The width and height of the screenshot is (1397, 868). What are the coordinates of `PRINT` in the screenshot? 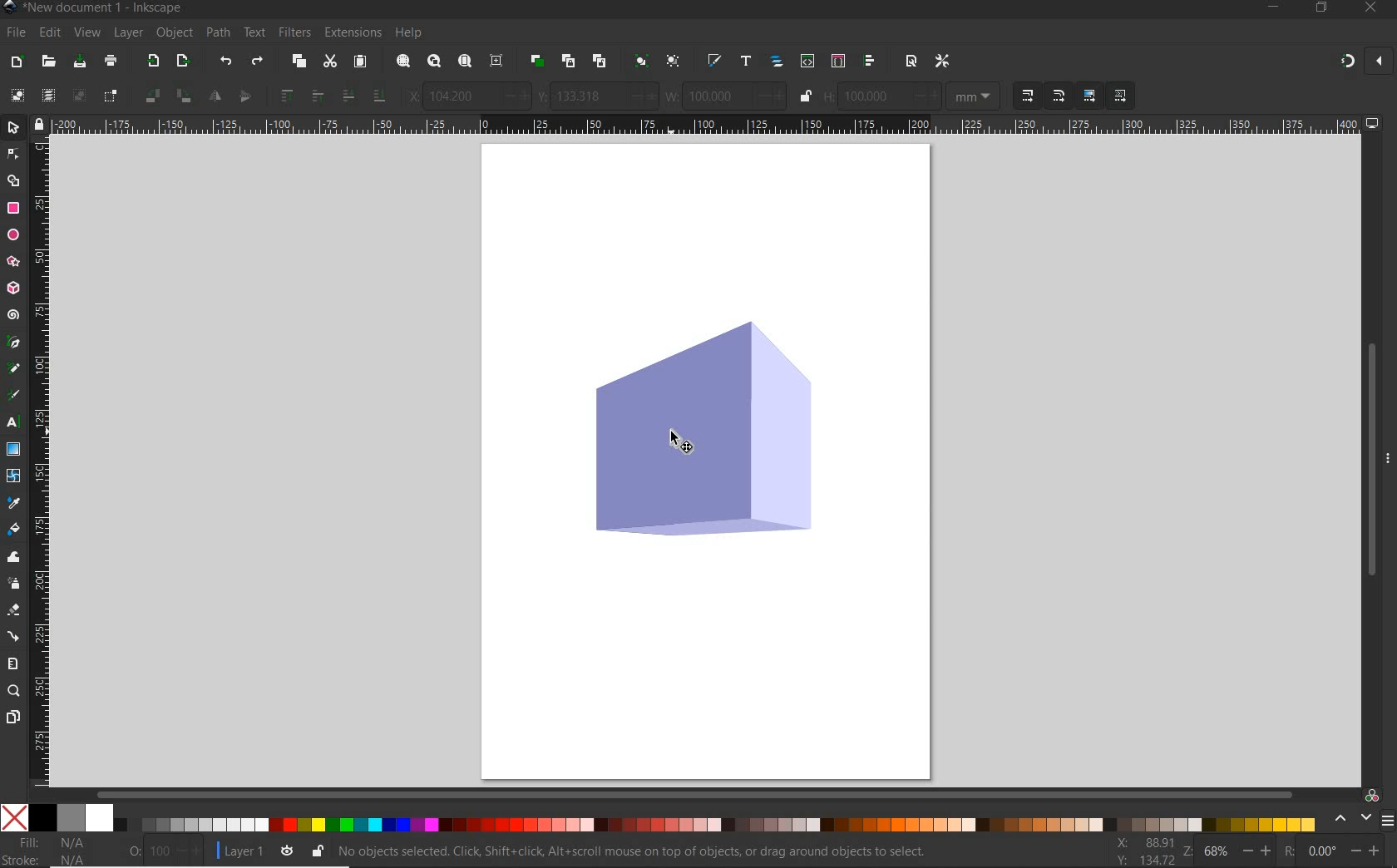 It's located at (111, 60).